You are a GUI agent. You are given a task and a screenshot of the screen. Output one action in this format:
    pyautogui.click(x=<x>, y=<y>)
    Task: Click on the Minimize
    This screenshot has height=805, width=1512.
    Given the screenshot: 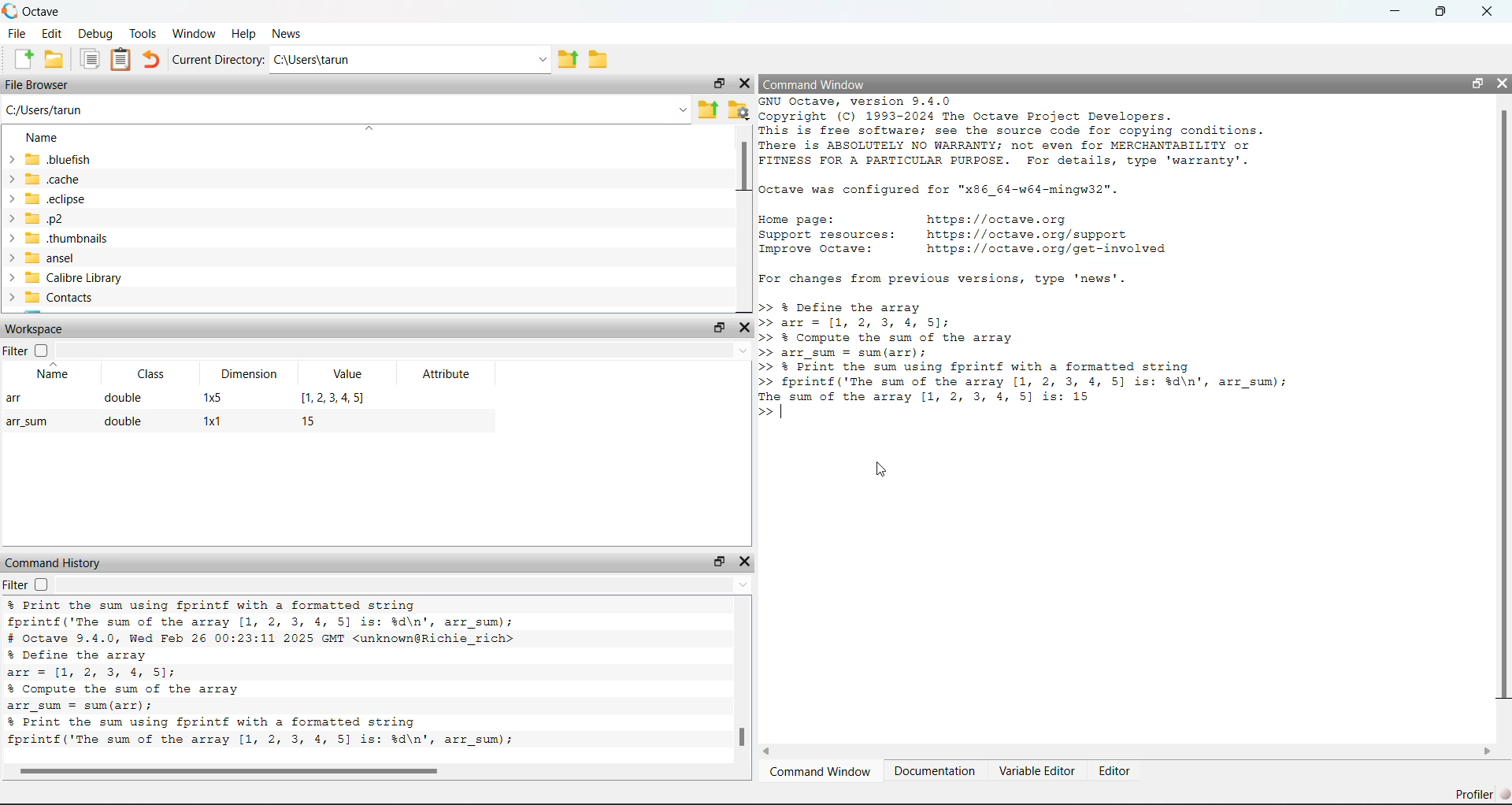 What is the action you would take?
    pyautogui.click(x=1398, y=11)
    